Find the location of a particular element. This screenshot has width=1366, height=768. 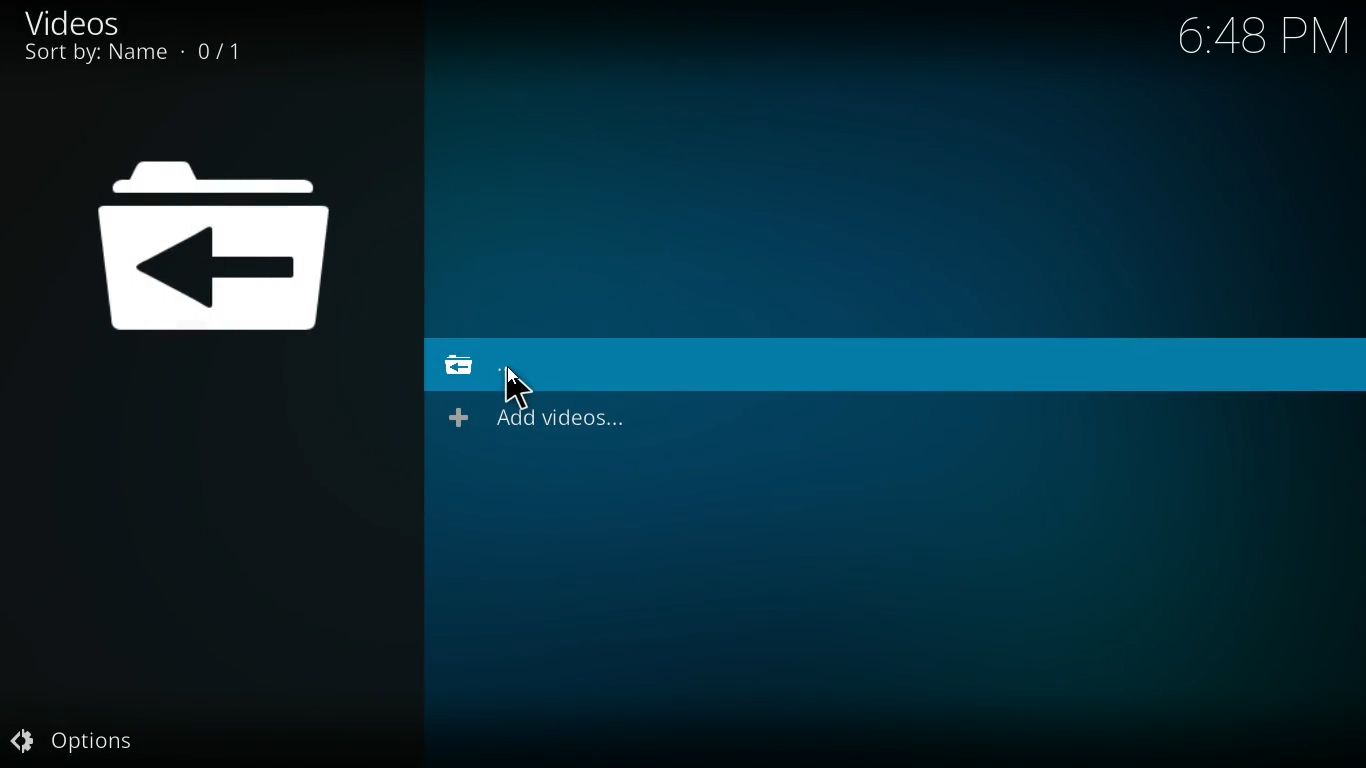

back is located at coordinates (485, 365).